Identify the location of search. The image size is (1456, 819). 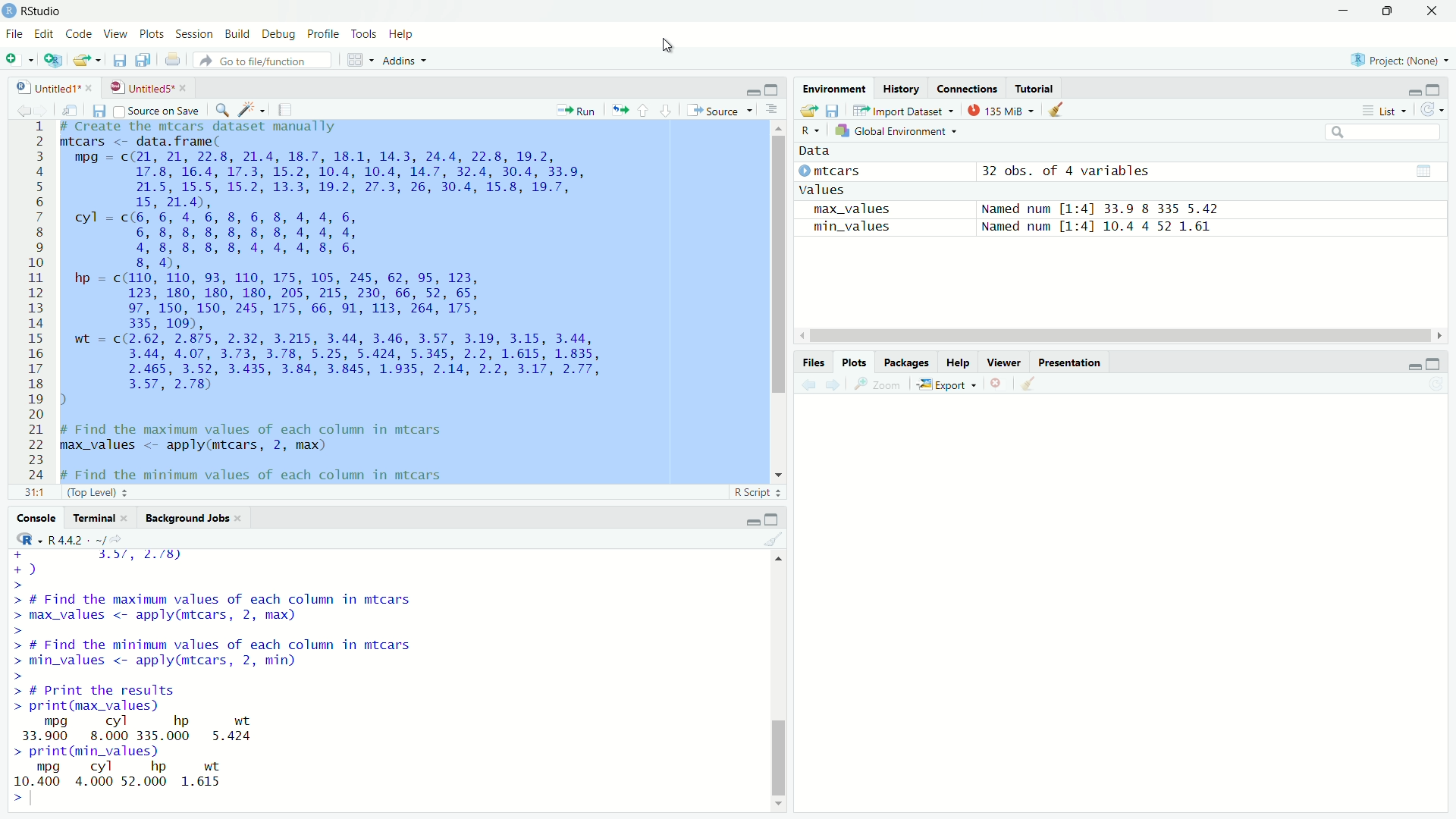
(1386, 132).